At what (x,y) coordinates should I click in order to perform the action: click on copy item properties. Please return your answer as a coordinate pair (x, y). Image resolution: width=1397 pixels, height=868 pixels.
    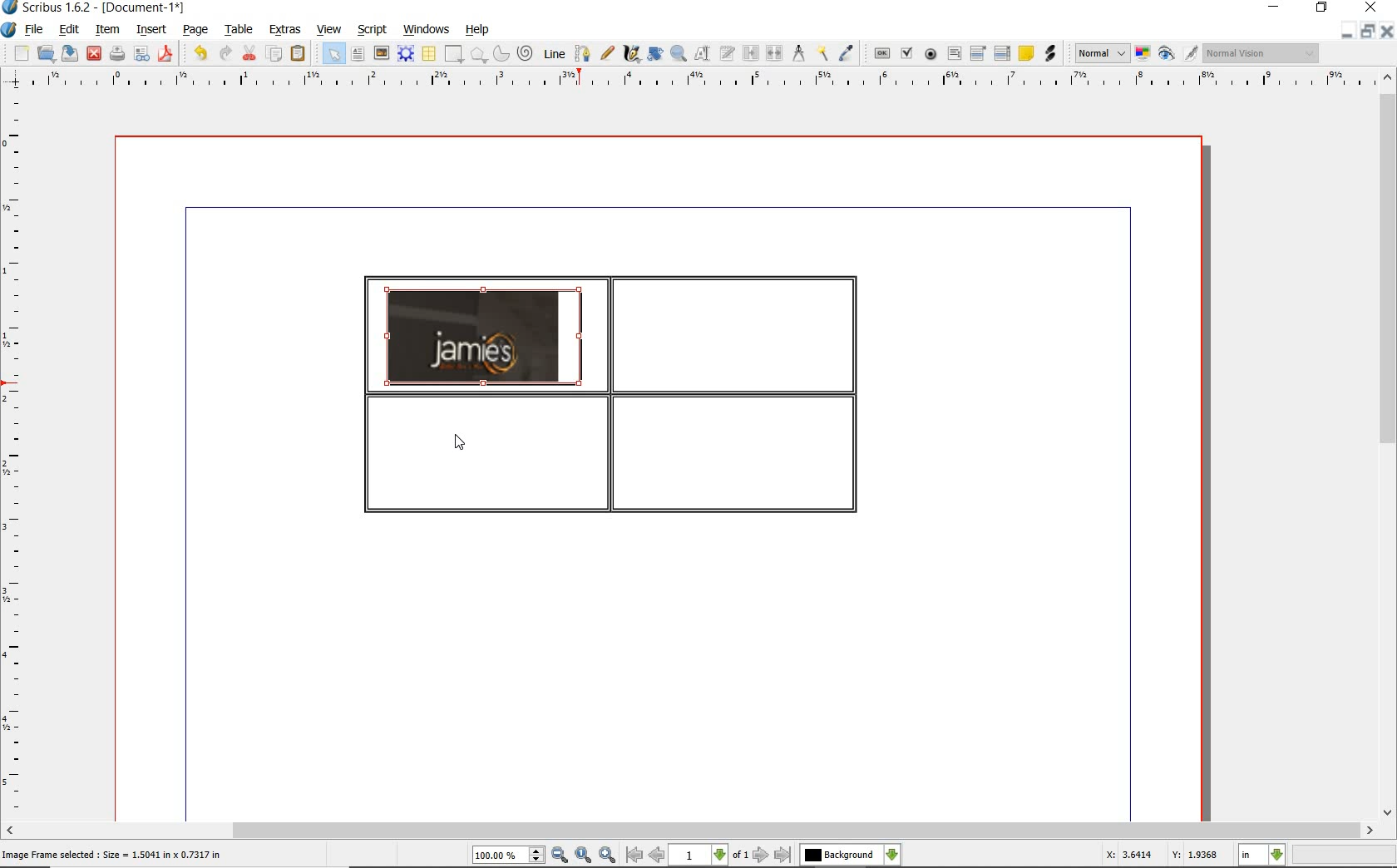
    Looking at the image, I should click on (822, 54).